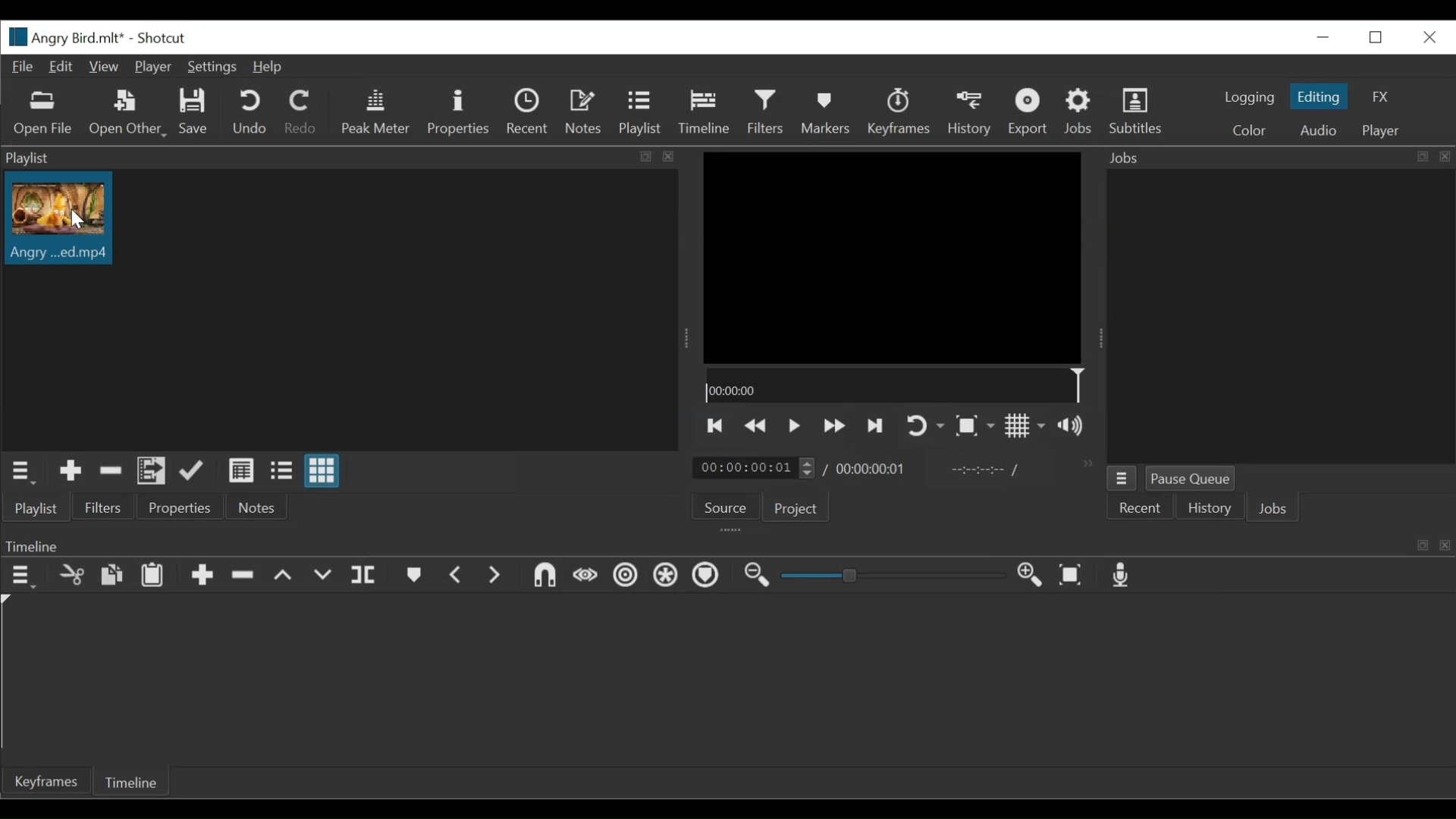  What do you see at coordinates (112, 575) in the screenshot?
I see `Copy` at bounding box center [112, 575].